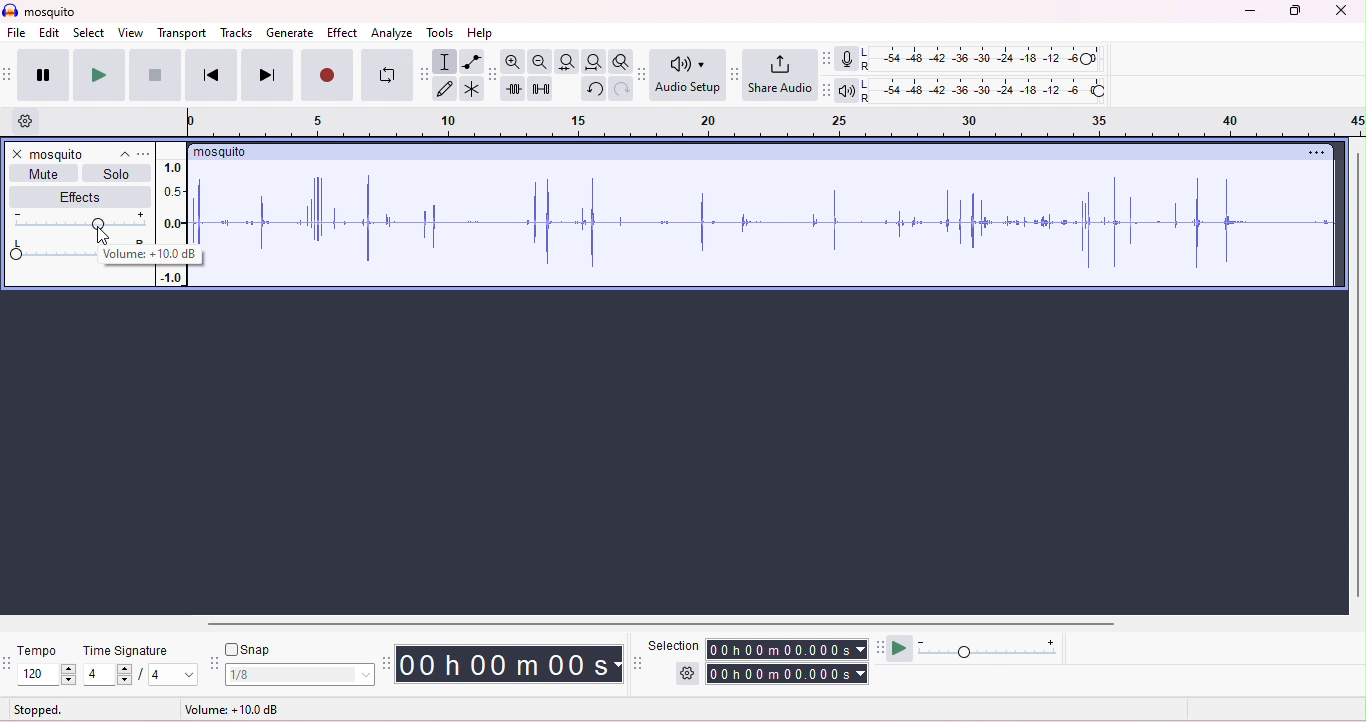 The width and height of the screenshot is (1366, 722). I want to click on selection tool bar, so click(637, 663).